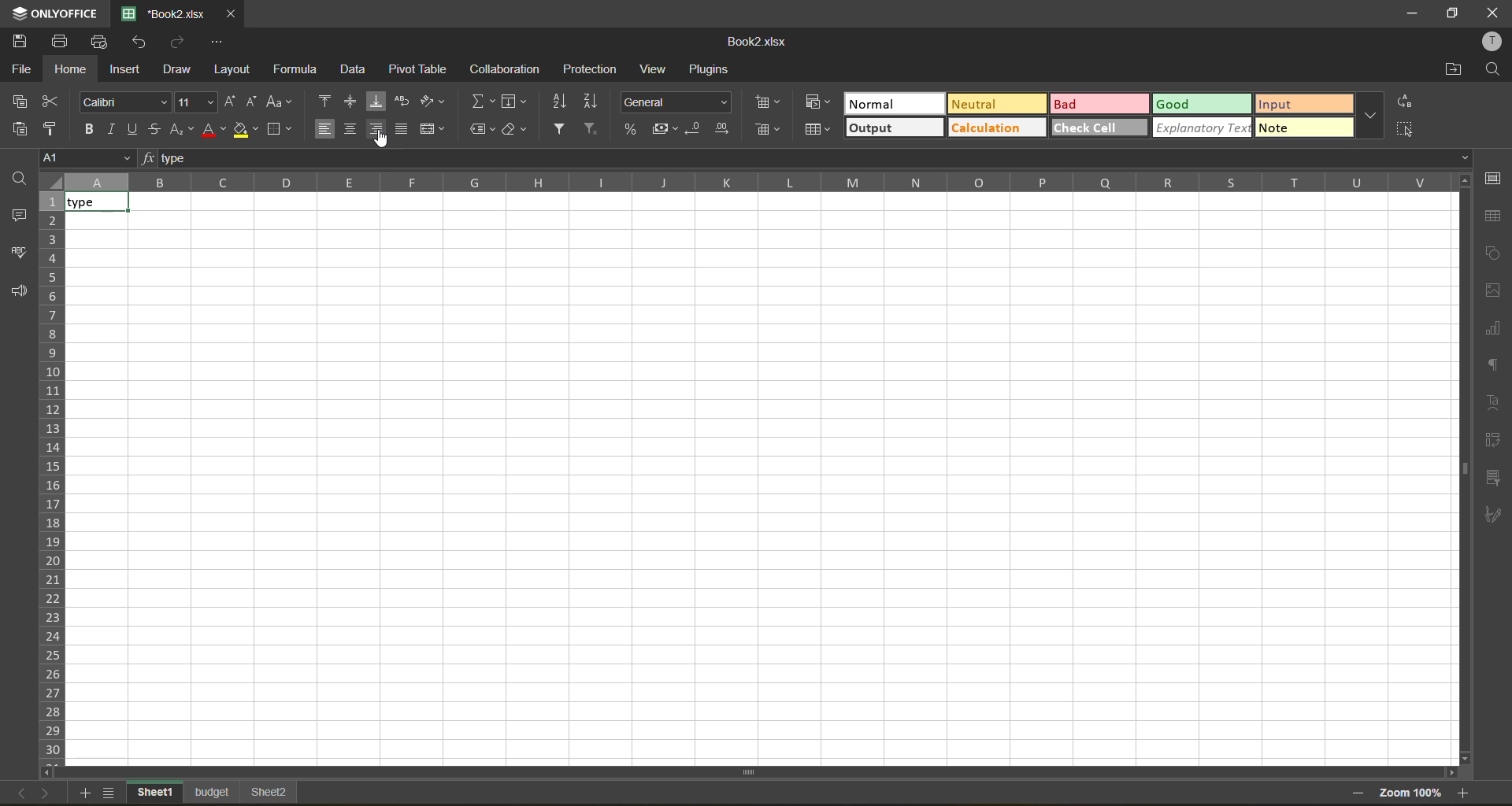 This screenshot has width=1512, height=806. I want to click on pivot table, so click(418, 68).